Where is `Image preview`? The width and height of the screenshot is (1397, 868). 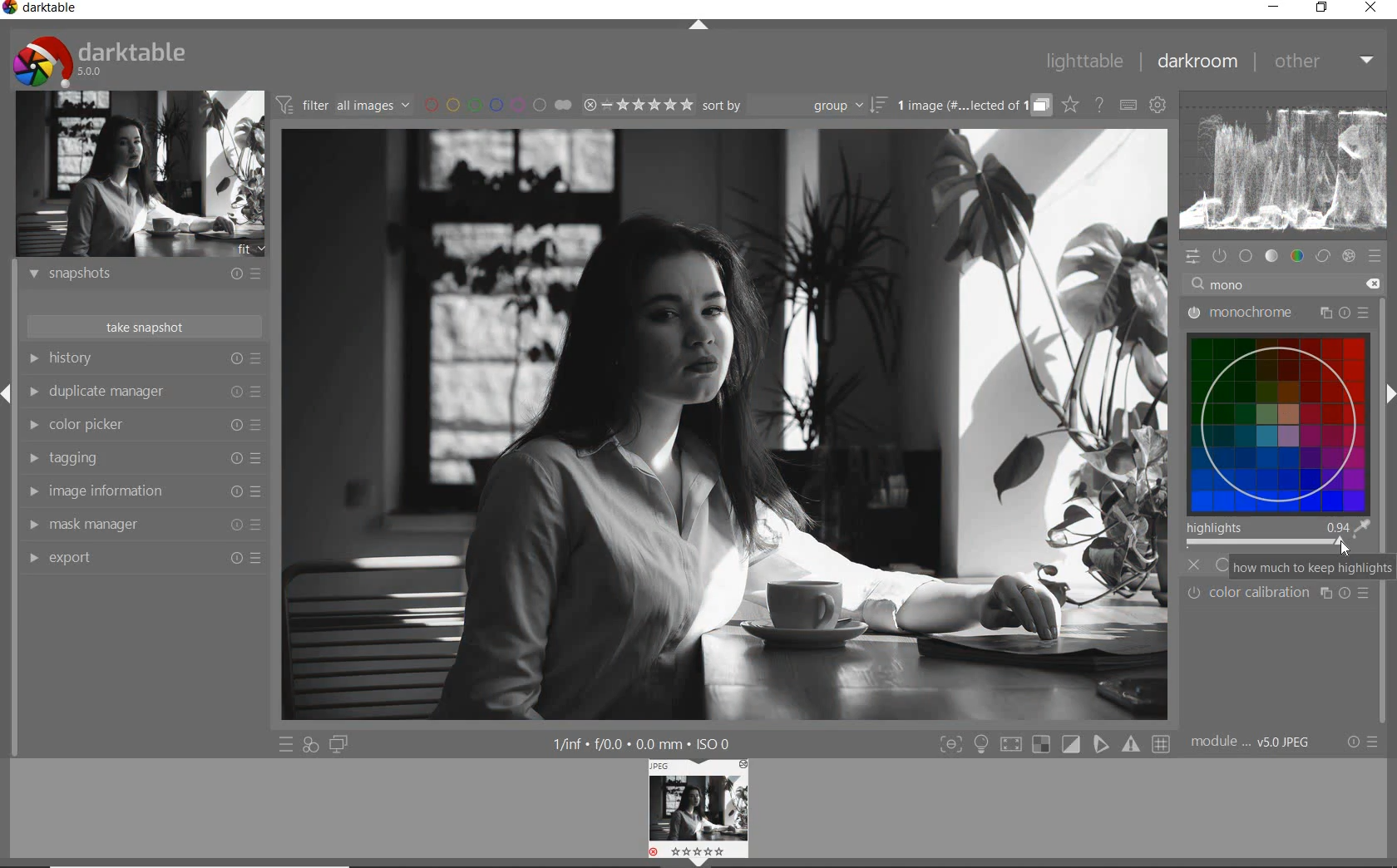
Image preview is located at coordinates (701, 812).